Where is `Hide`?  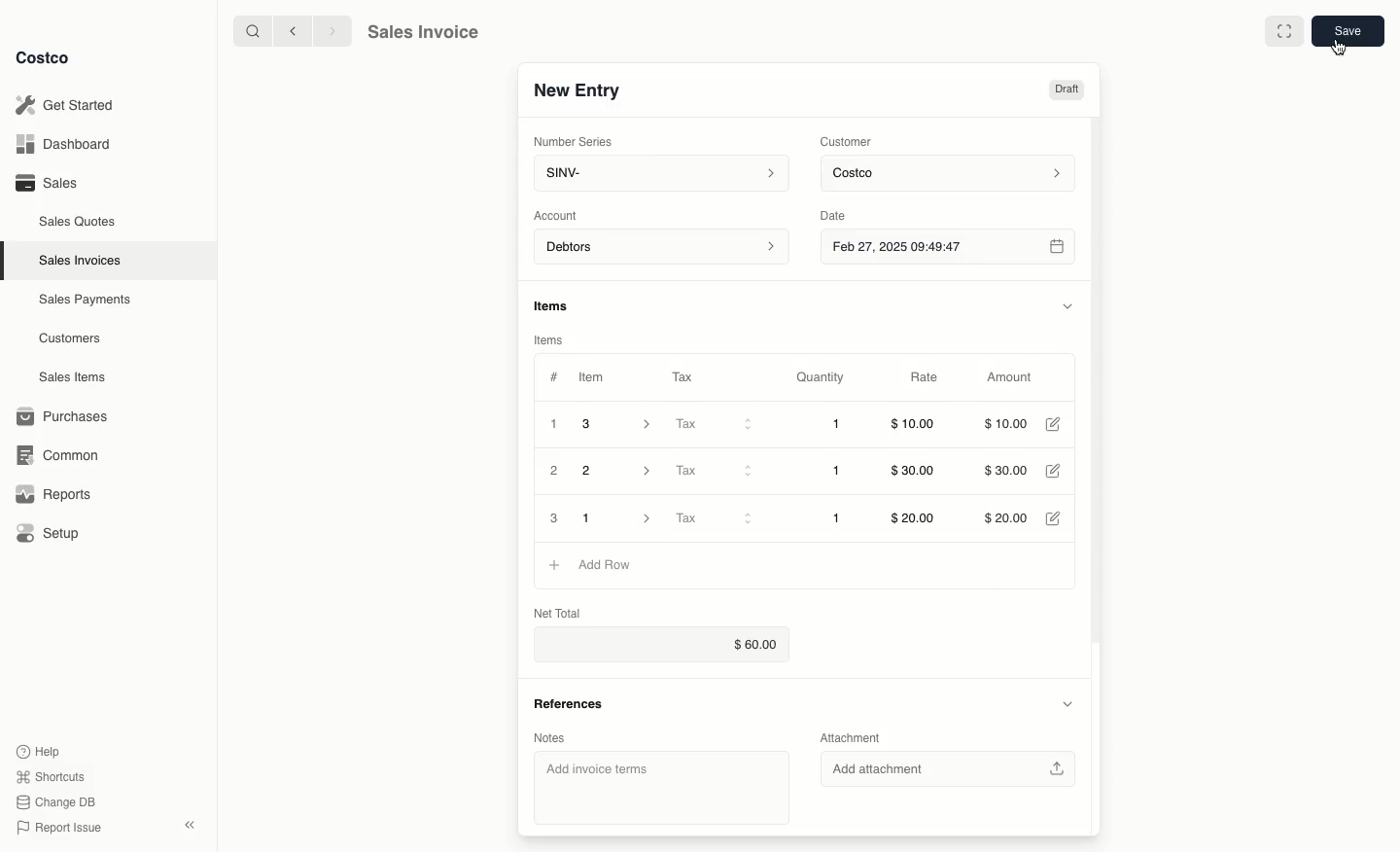 Hide is located at coordinates (1067, 303).